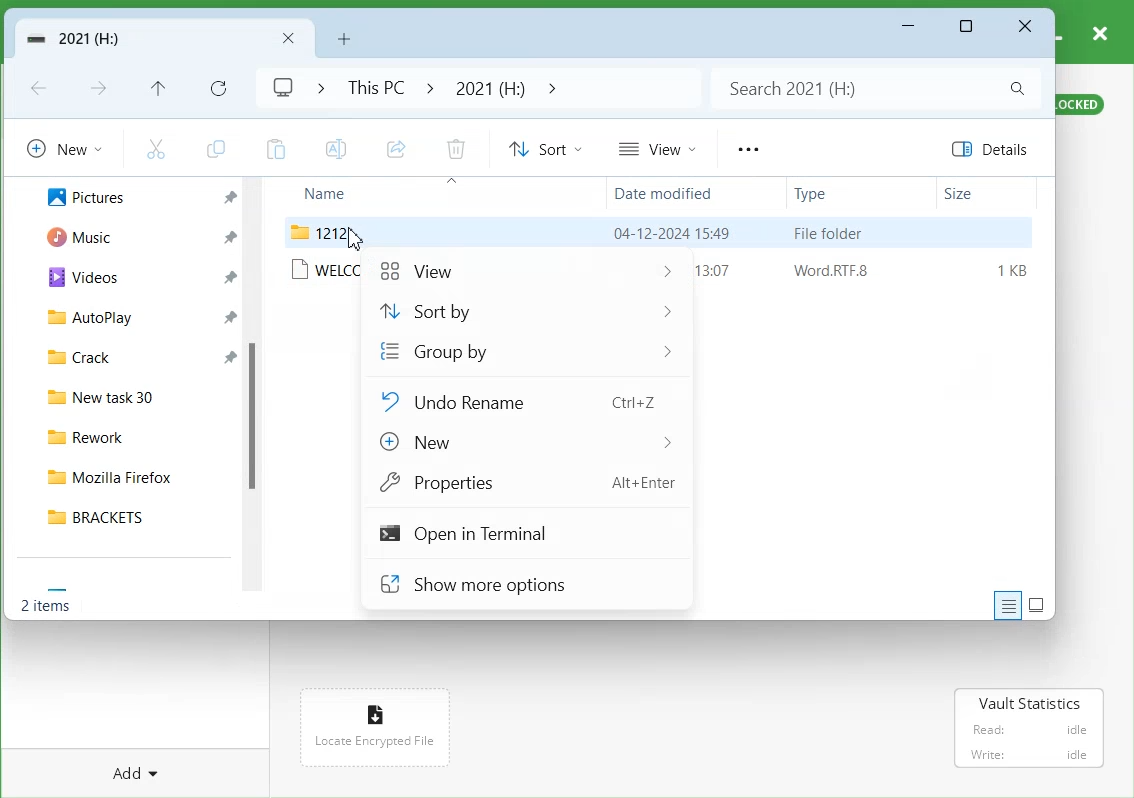 Image resolution: width=1134 pixels, height=798 pixels. Describe the element at coordinates (985, 194) in the screenshot. I see `Size` at that location.